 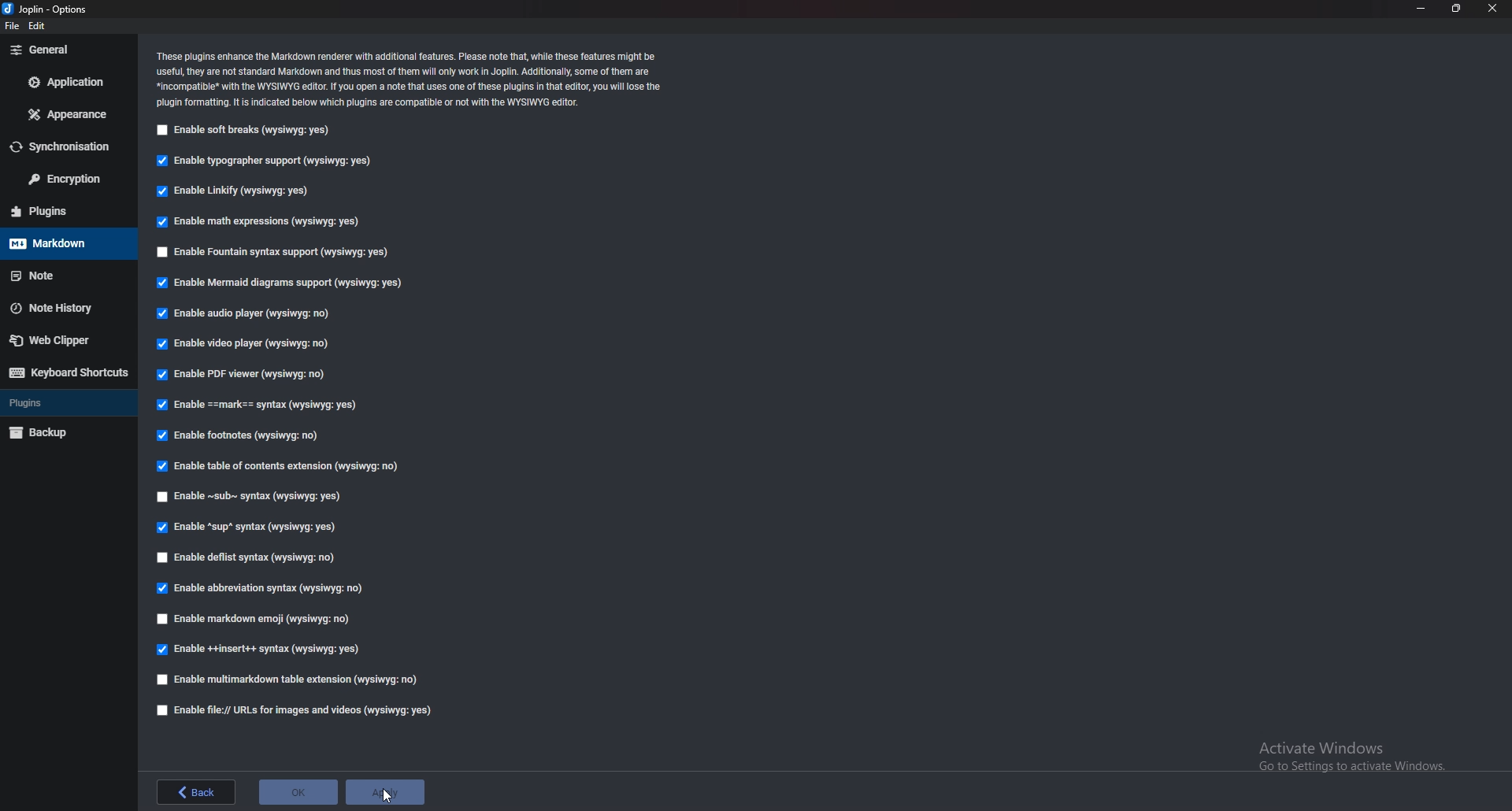 I want to click on resize, so click(x=1455, y=8).